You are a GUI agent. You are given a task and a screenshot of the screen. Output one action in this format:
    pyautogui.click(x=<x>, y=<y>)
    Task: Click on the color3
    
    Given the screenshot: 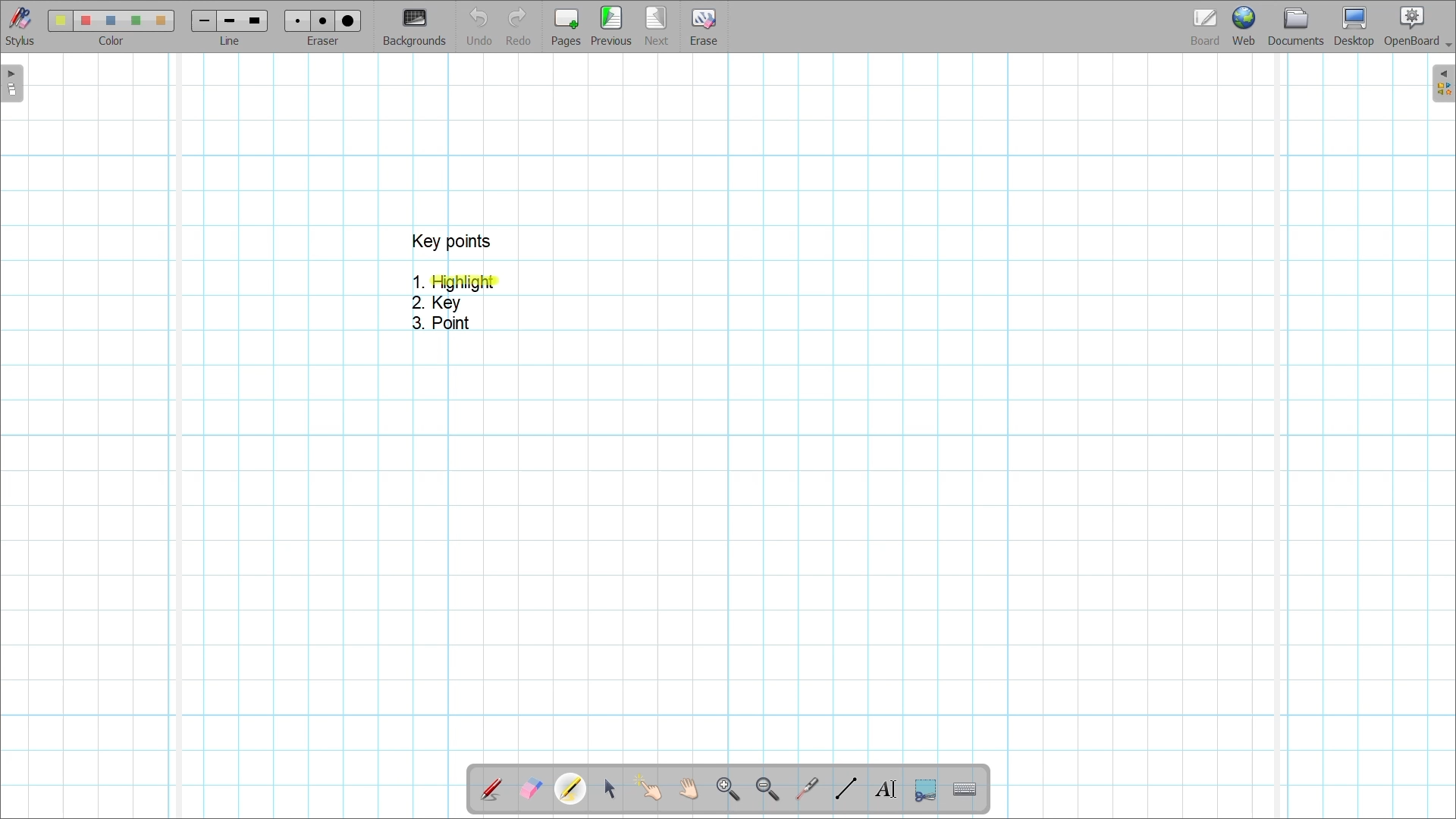 What is the action you would take?
    pyautogui.click(x=111, y=21)
    